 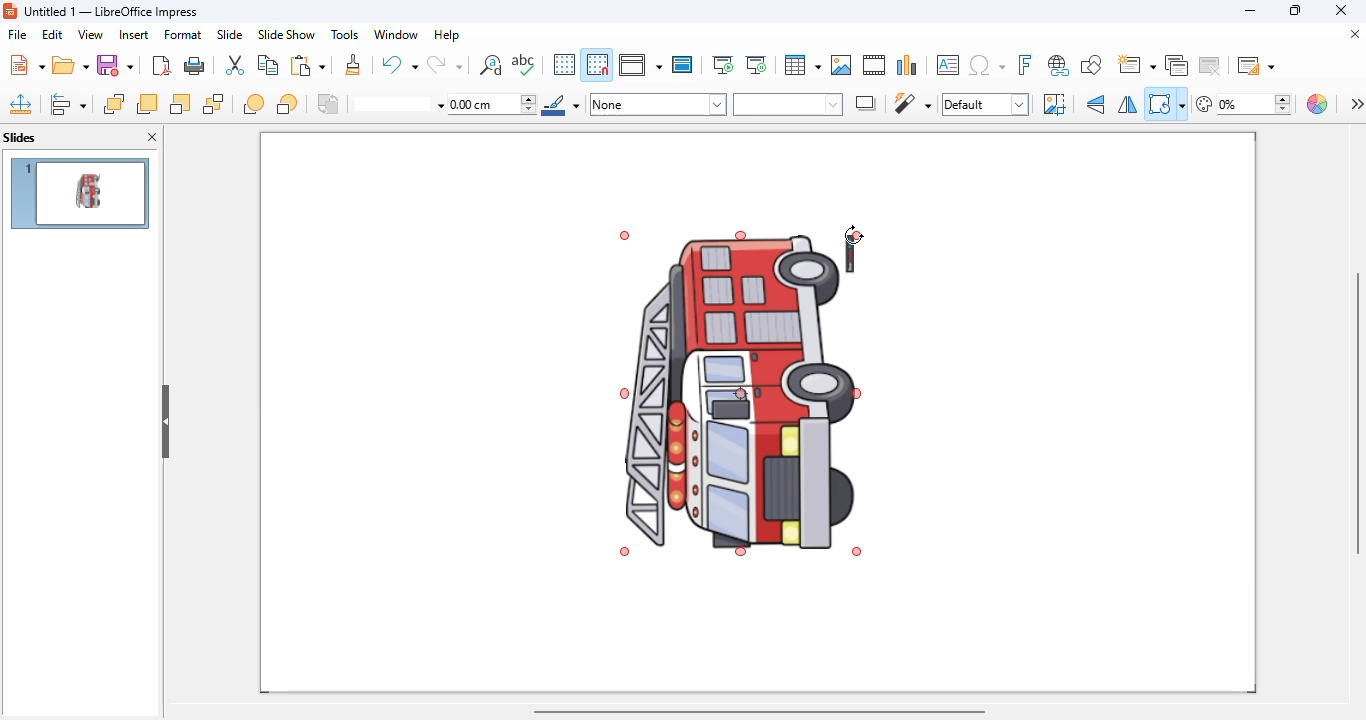 I want to click on send backward, so click(x=180, y=104).